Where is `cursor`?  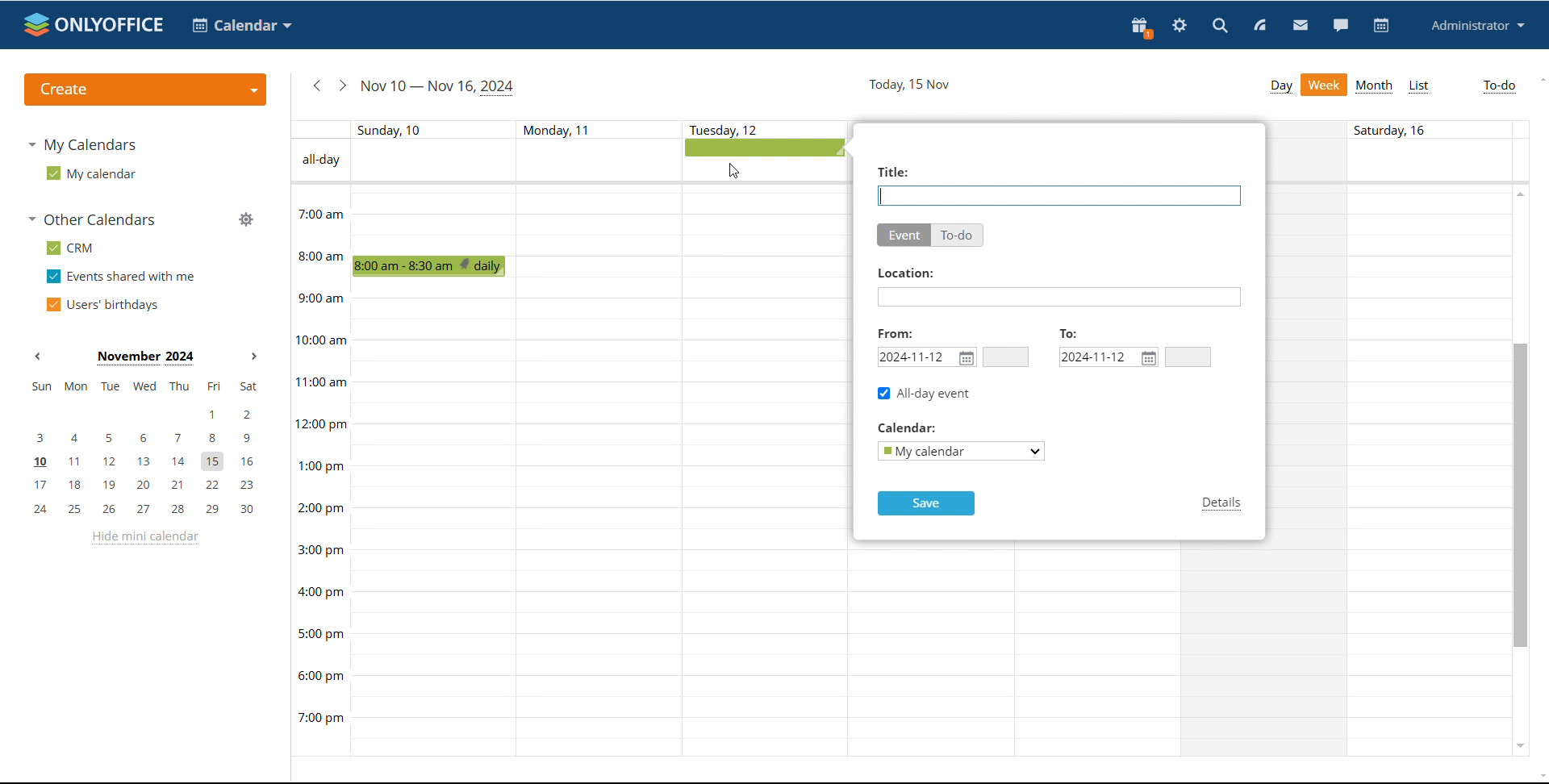
cursor is located at coordinates (740, 171).